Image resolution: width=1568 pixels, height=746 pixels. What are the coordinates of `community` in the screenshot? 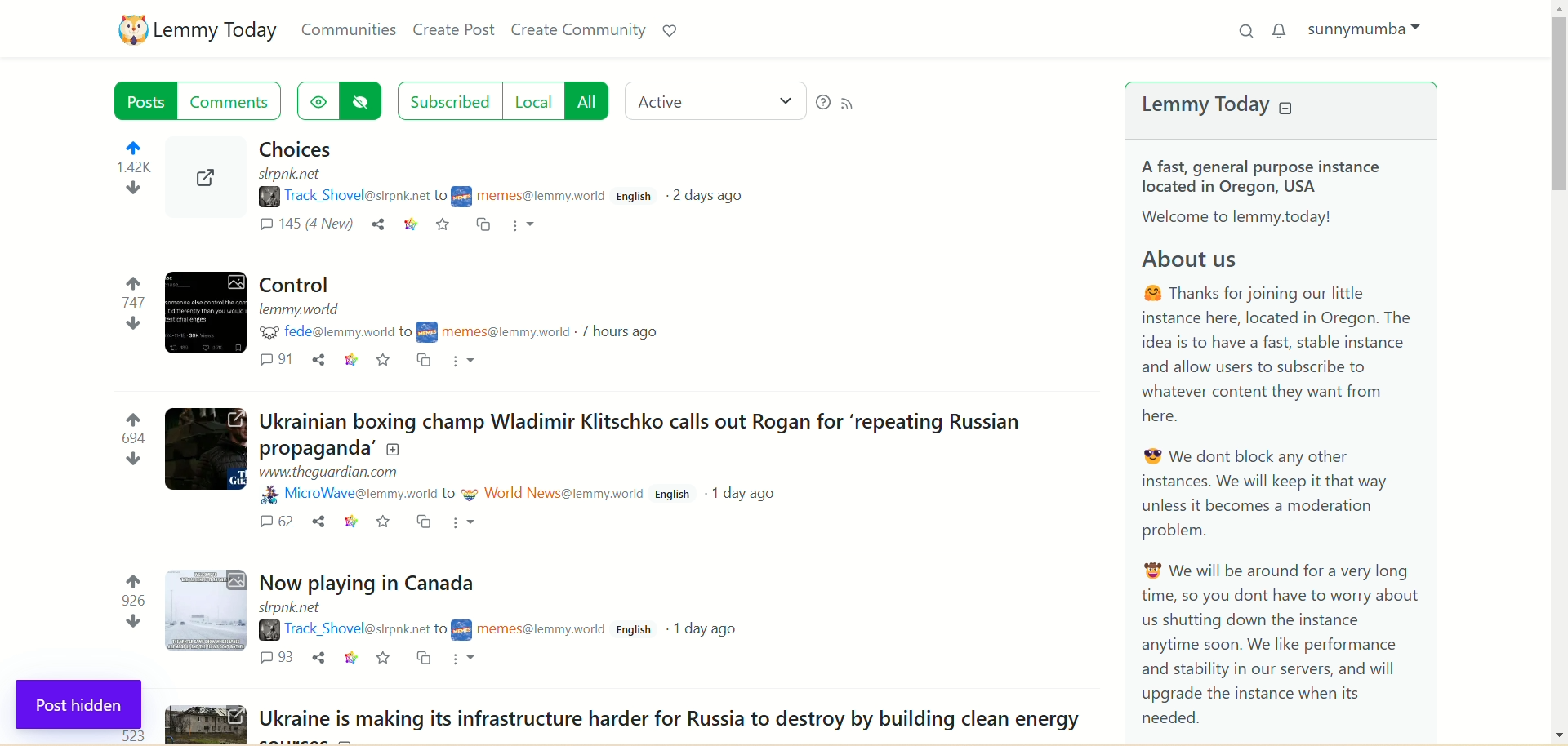 It's located at (499, 332).